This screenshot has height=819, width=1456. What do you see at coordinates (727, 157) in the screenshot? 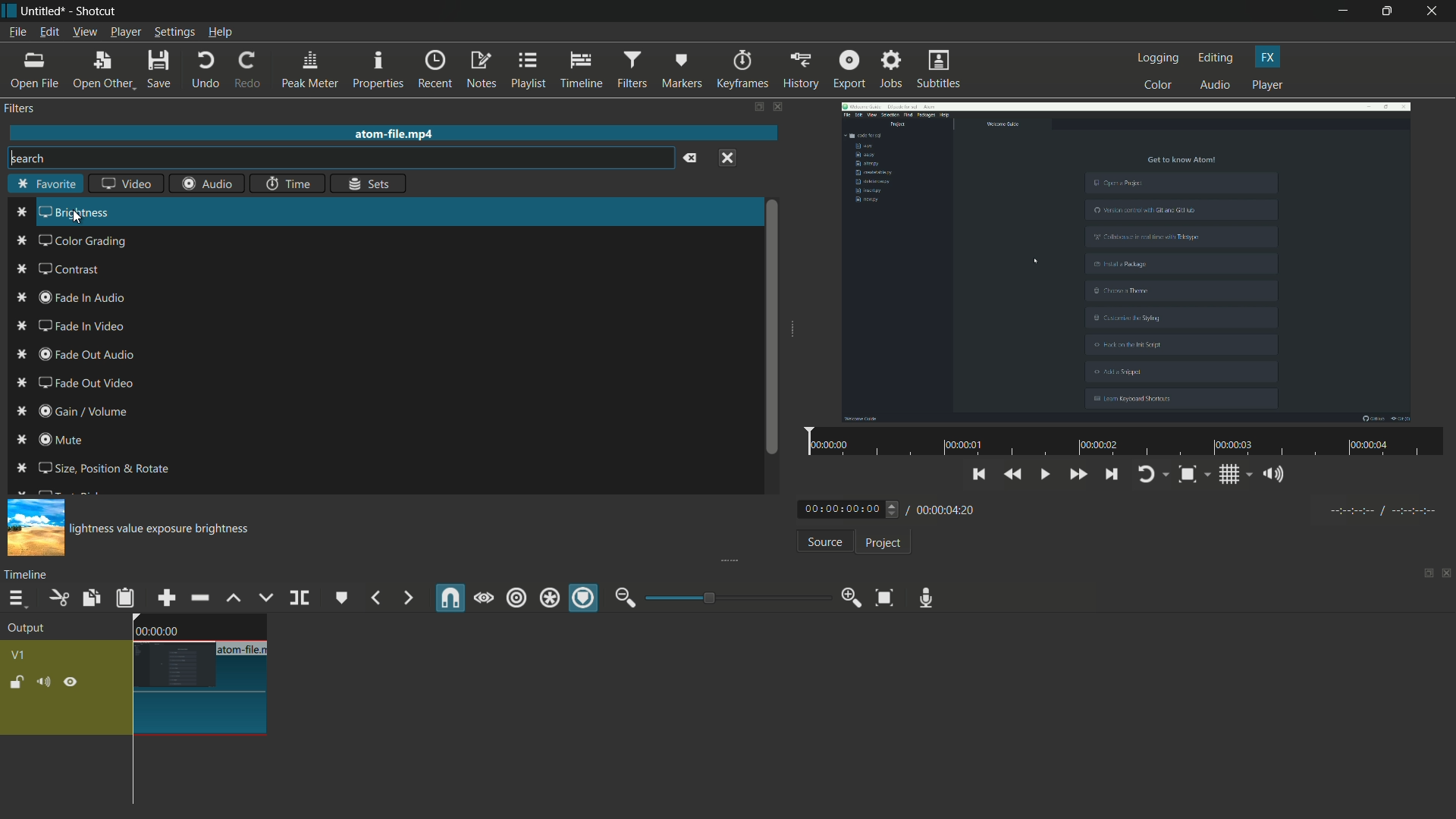
I see `close menu` at bounding box center [727, 157].